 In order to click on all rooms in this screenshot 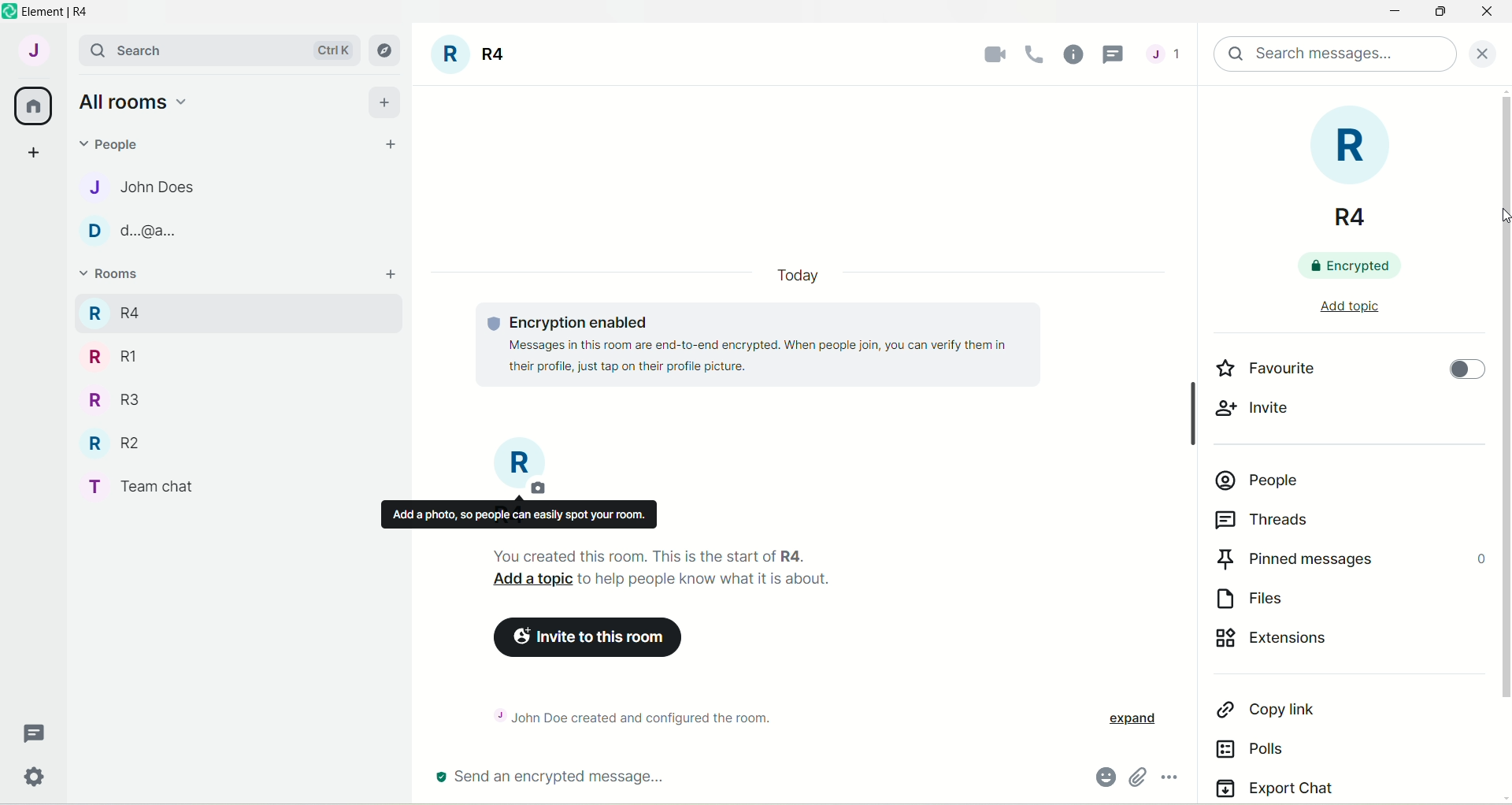, I will do `click(34, 106)`.